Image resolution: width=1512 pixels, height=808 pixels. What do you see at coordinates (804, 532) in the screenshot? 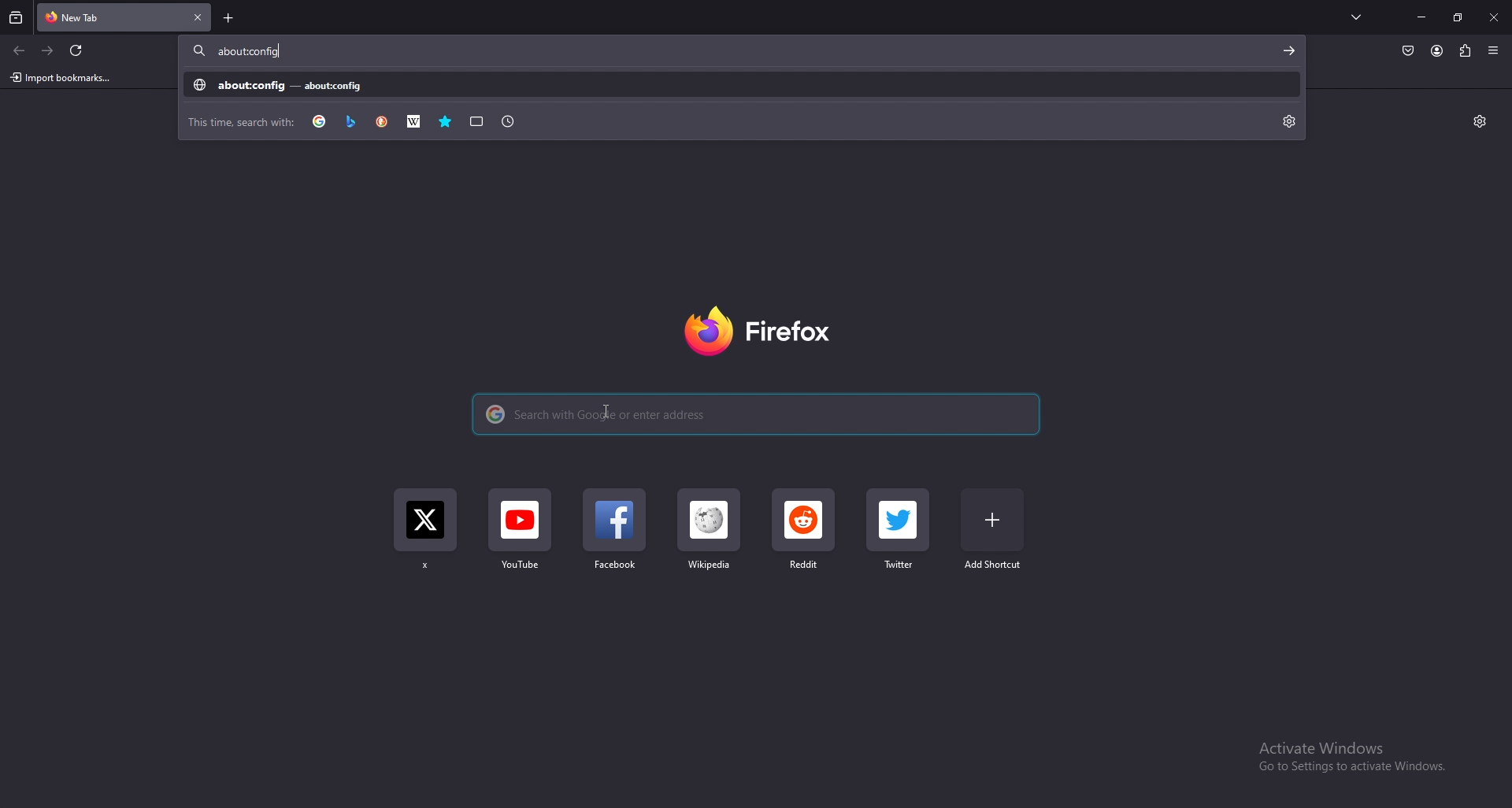
I see `reddit` at bounding box center [804, 532].